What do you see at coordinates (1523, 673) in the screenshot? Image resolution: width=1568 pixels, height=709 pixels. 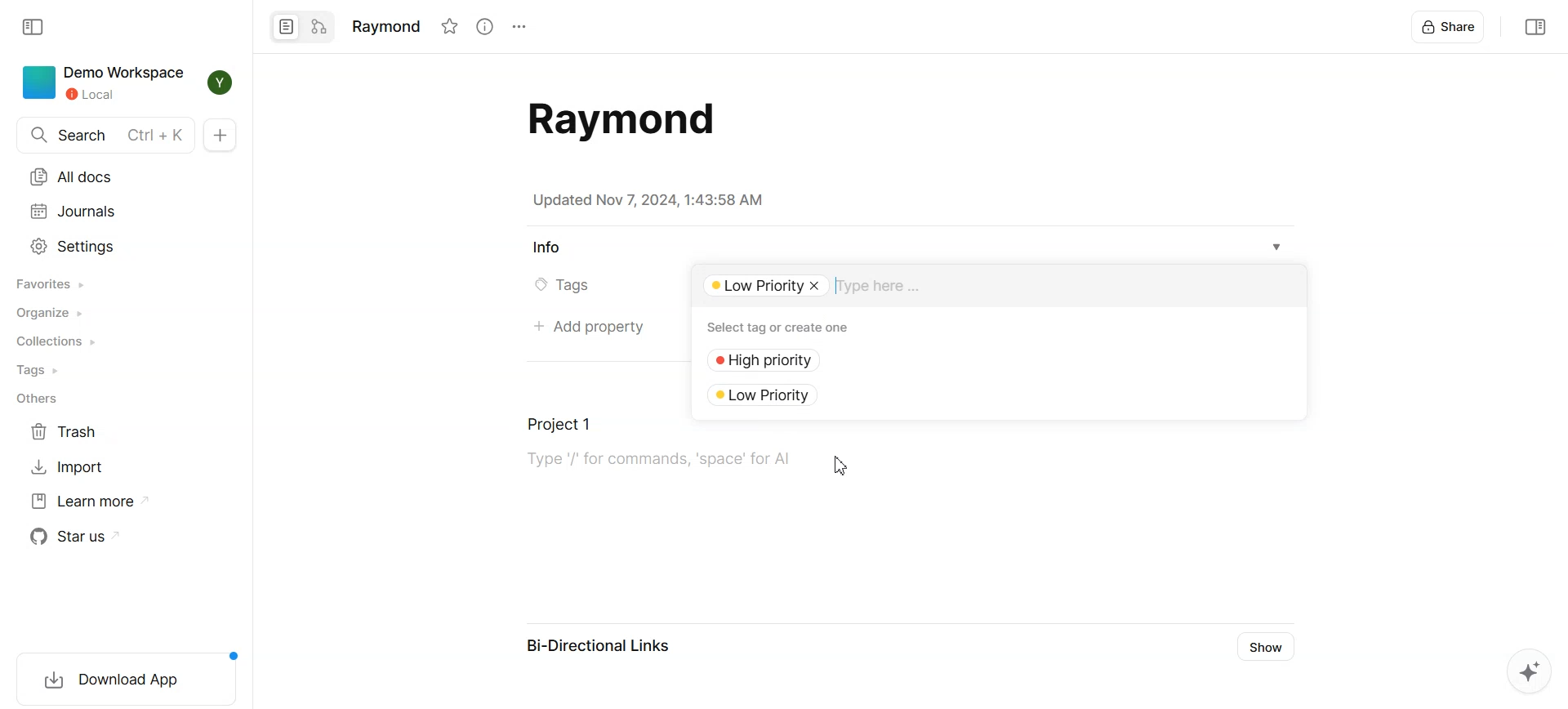 I see `Suggestion` at bounding box center [1523, 673].